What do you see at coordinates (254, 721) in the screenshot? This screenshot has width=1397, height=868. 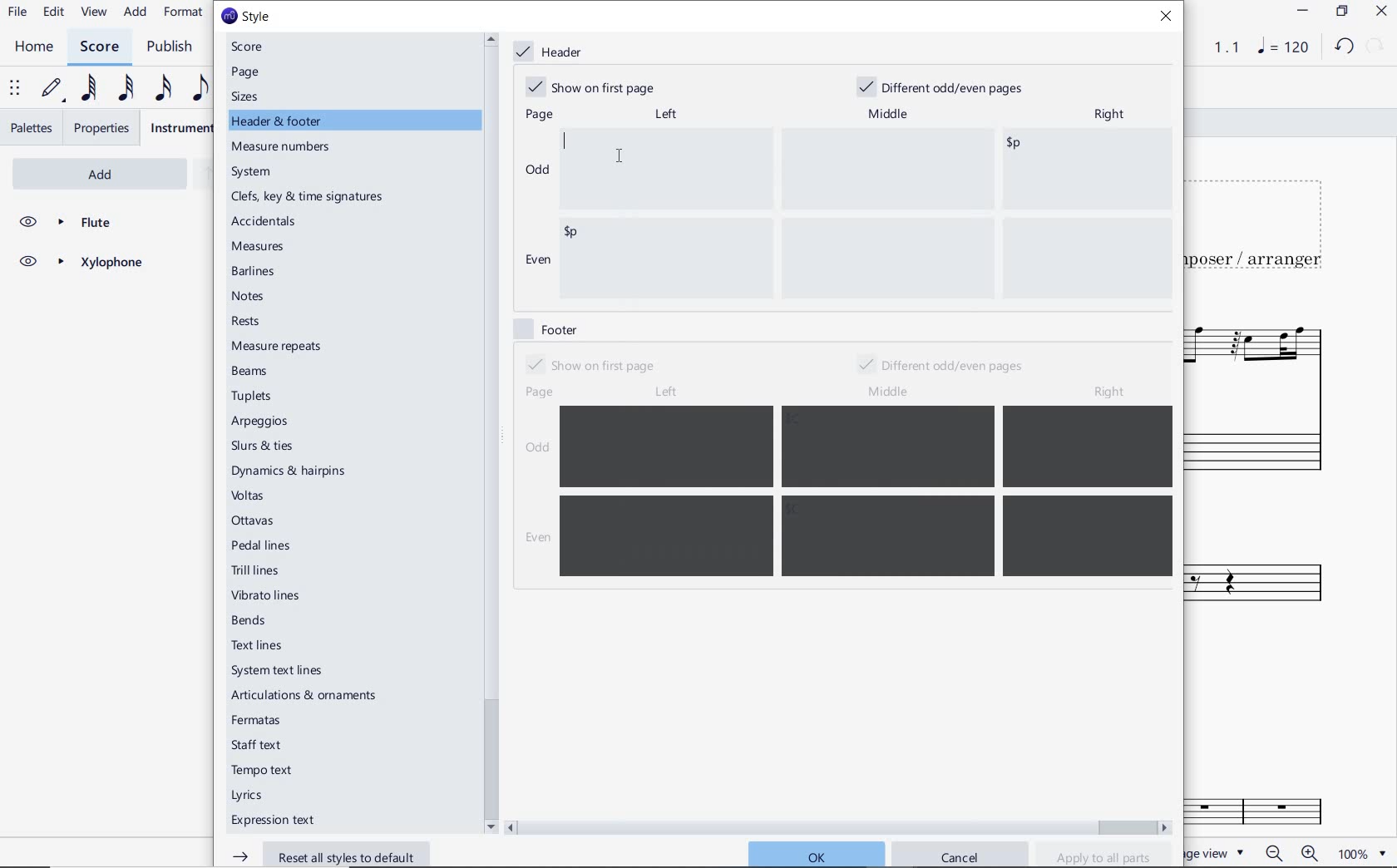 I see `fermatas` at bounding box center [254, 721].